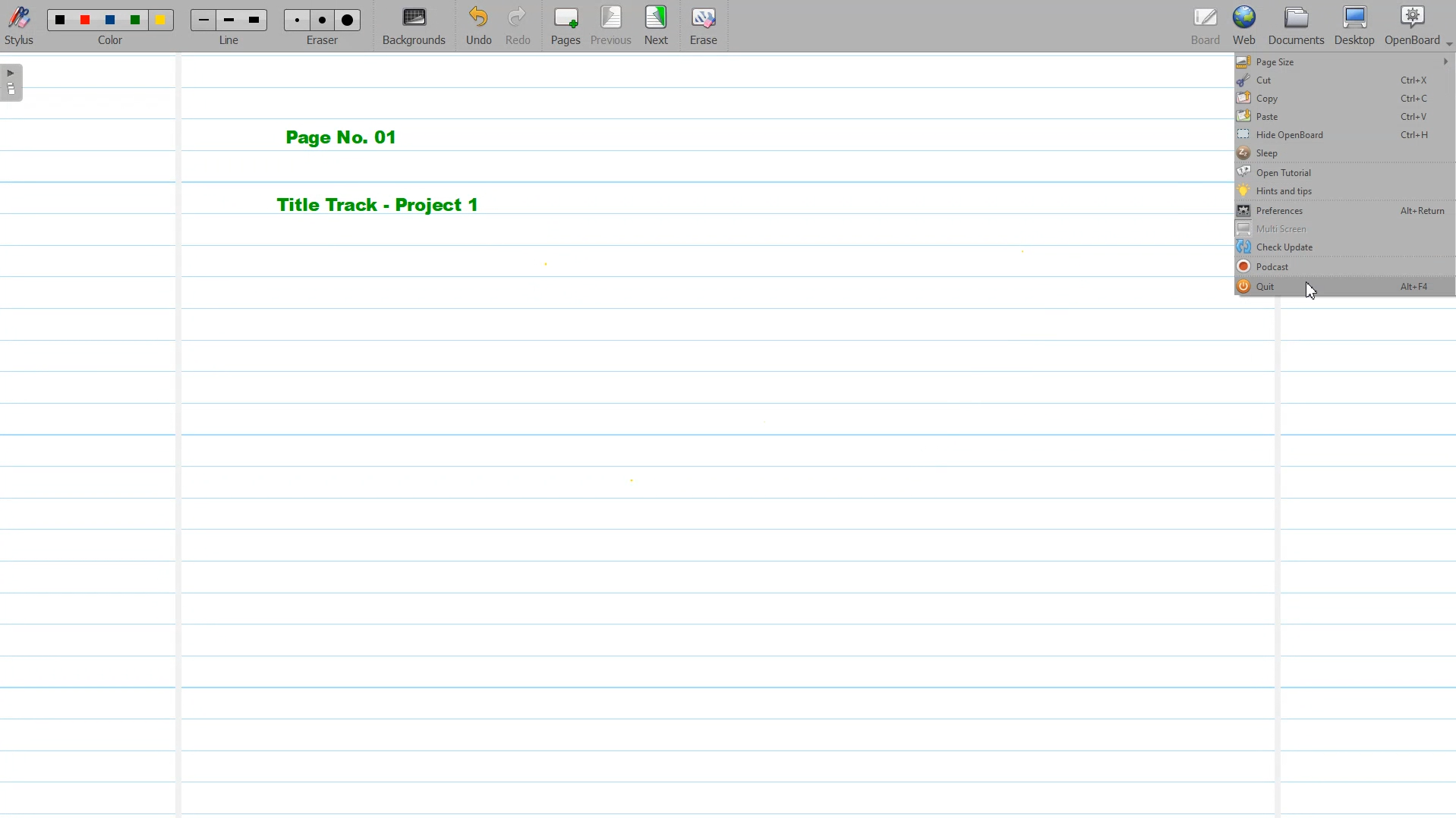 This screenshot has width=1456, height=818. Describe the element at coordinates (1346, 171) in the screenshot. I see `Open Tutorial` at that location.